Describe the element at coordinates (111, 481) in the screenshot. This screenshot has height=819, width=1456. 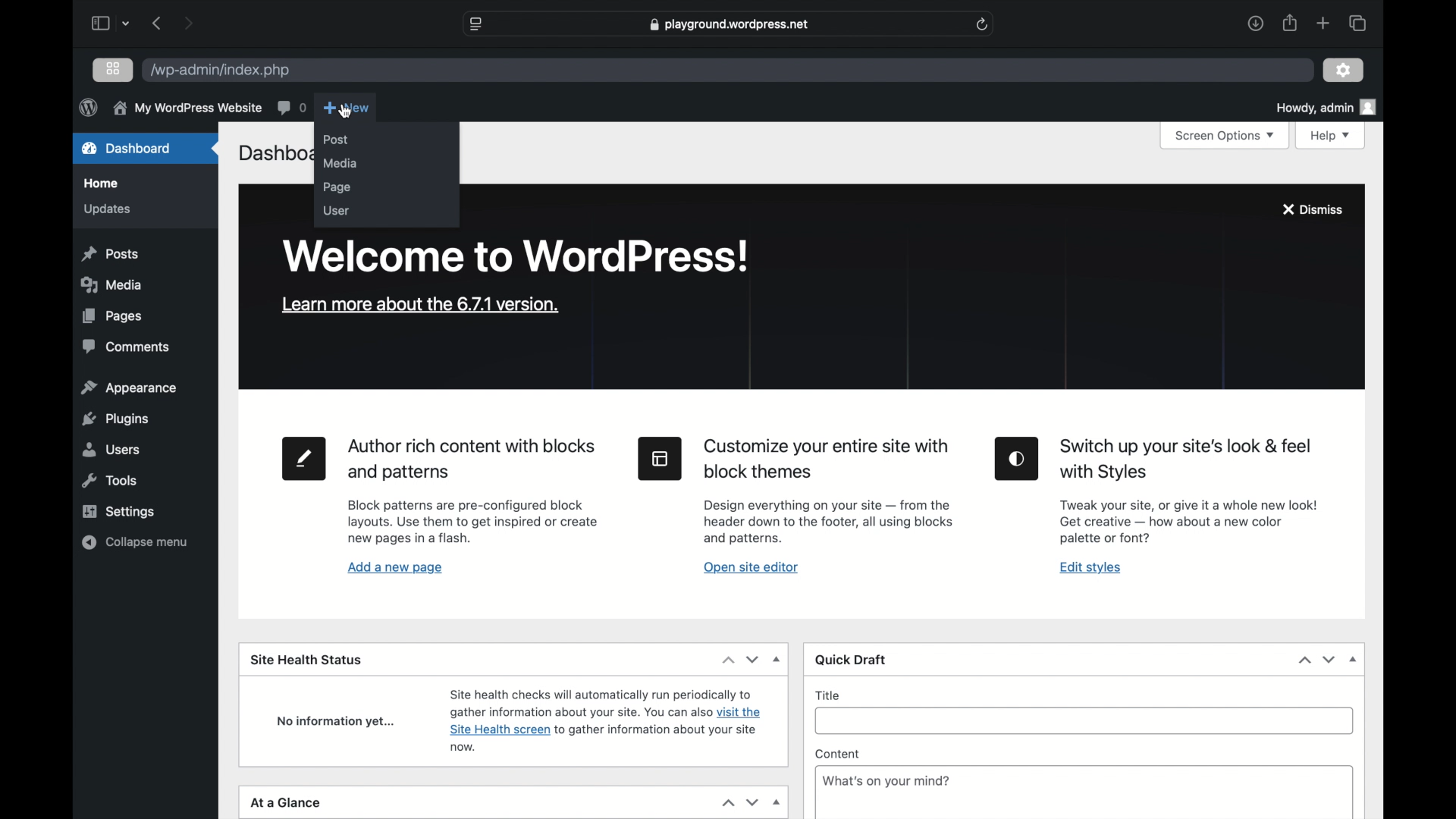
I see `tools` at that location.